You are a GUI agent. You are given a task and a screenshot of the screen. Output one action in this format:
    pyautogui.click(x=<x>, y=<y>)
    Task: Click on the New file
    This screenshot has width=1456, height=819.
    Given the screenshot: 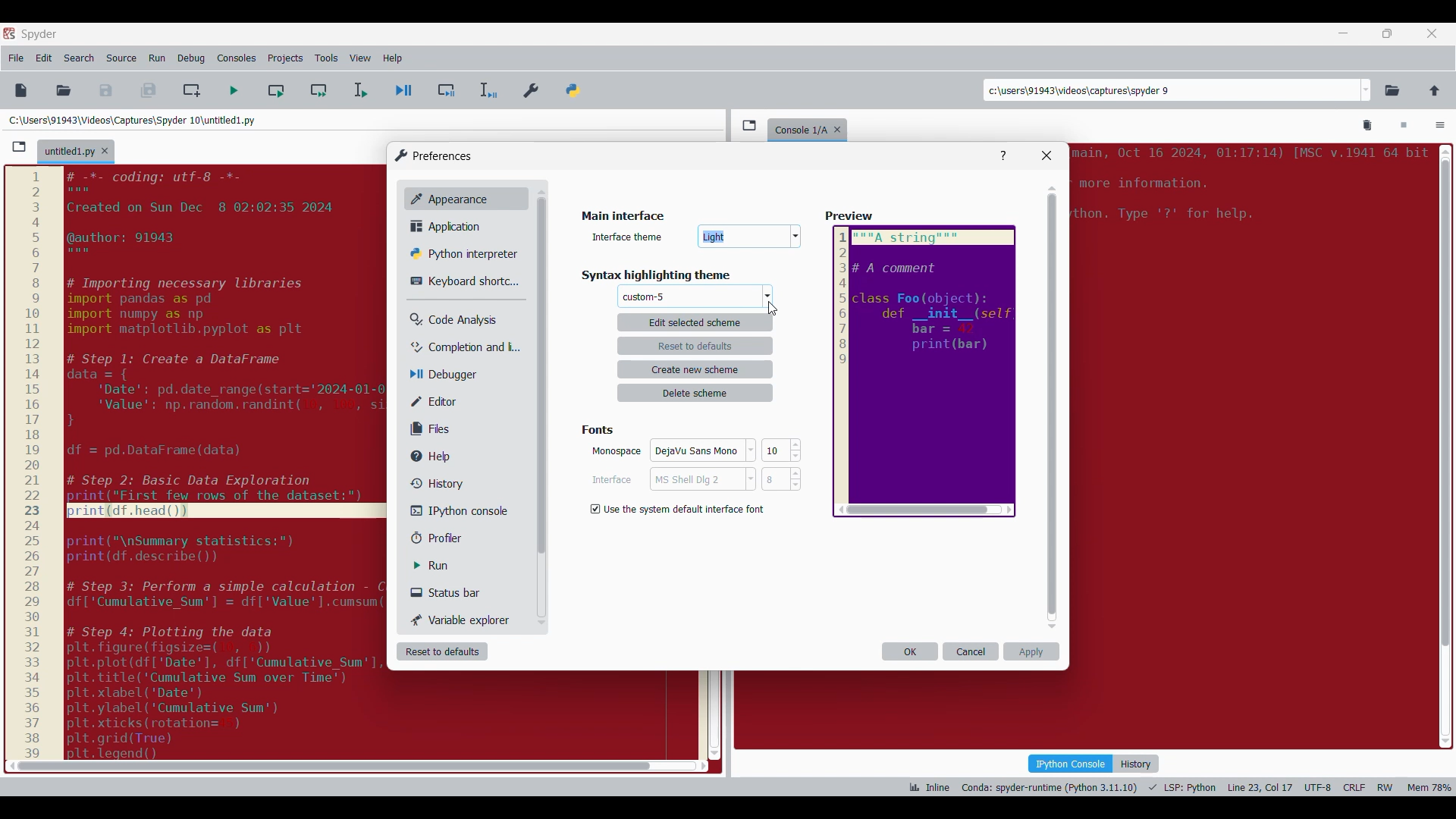 What is the action you would take?
    pyautogui.click(x=20, y=90)
    